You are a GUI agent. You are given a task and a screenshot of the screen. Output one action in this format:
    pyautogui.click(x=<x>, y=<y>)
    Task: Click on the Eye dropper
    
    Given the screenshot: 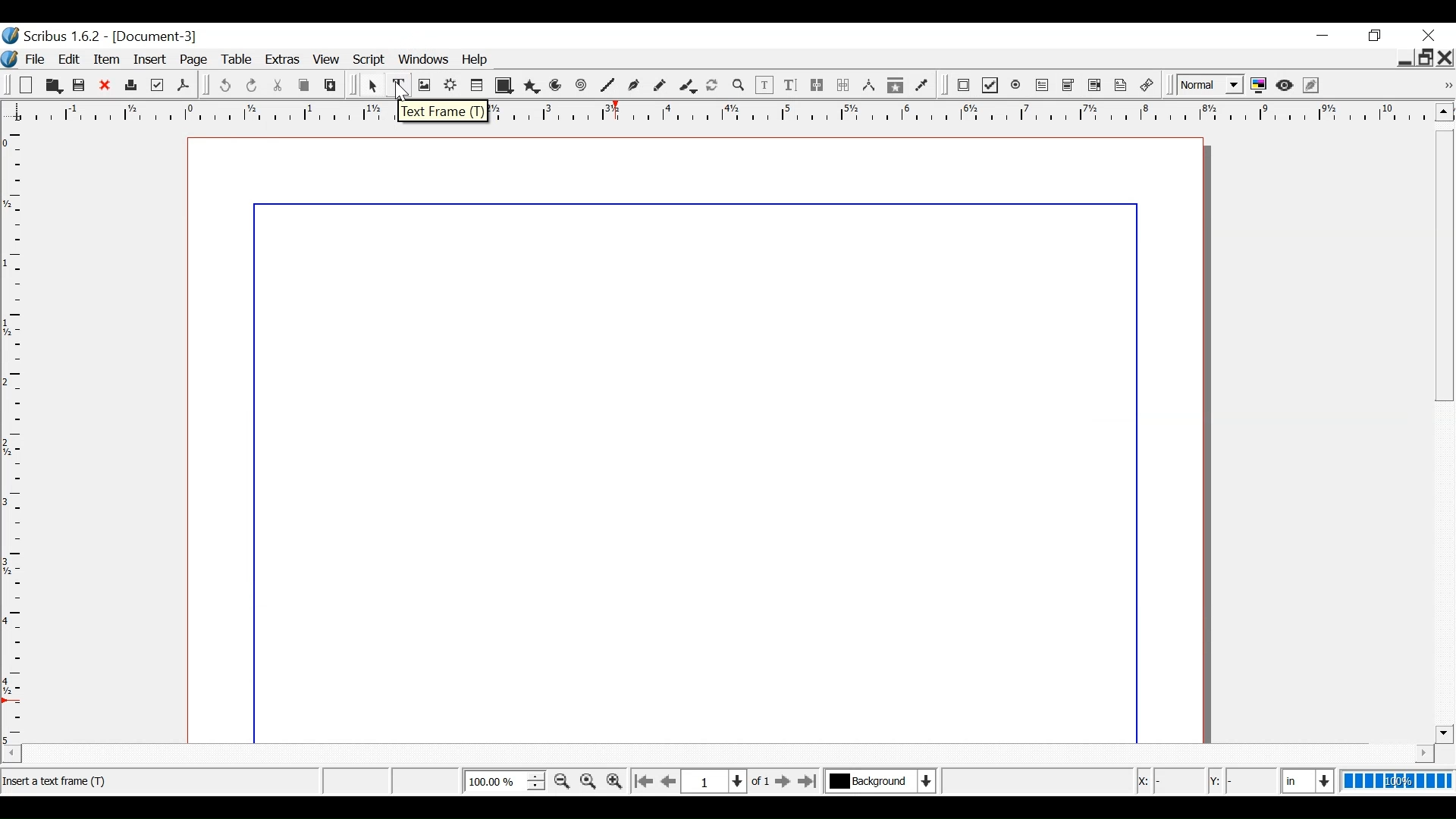 What is the action you would take?
    pyautogui.click(x=923, y=86)
    